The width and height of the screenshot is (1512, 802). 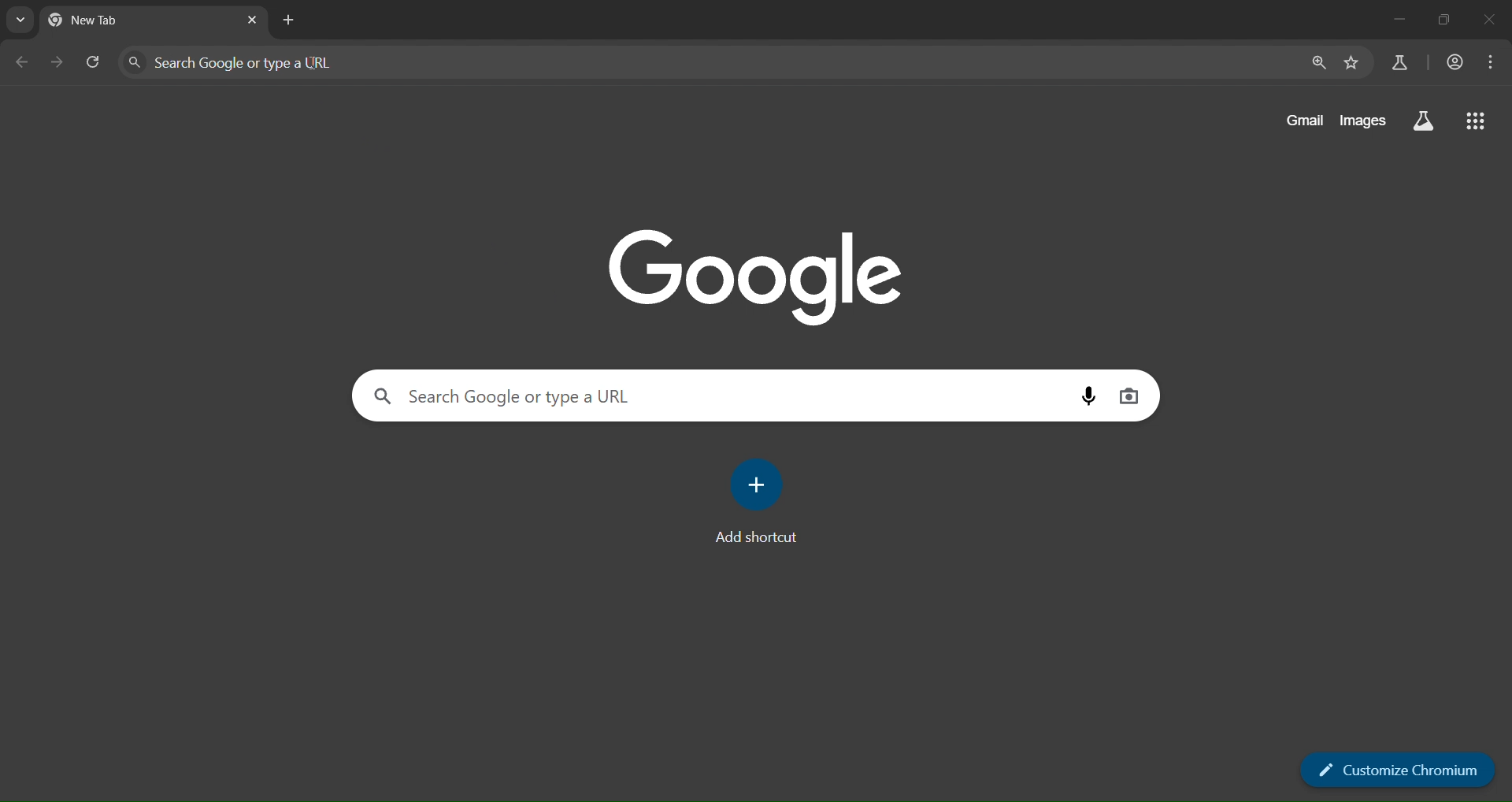 I want to click on search labs, so click(x=1405, y=64).